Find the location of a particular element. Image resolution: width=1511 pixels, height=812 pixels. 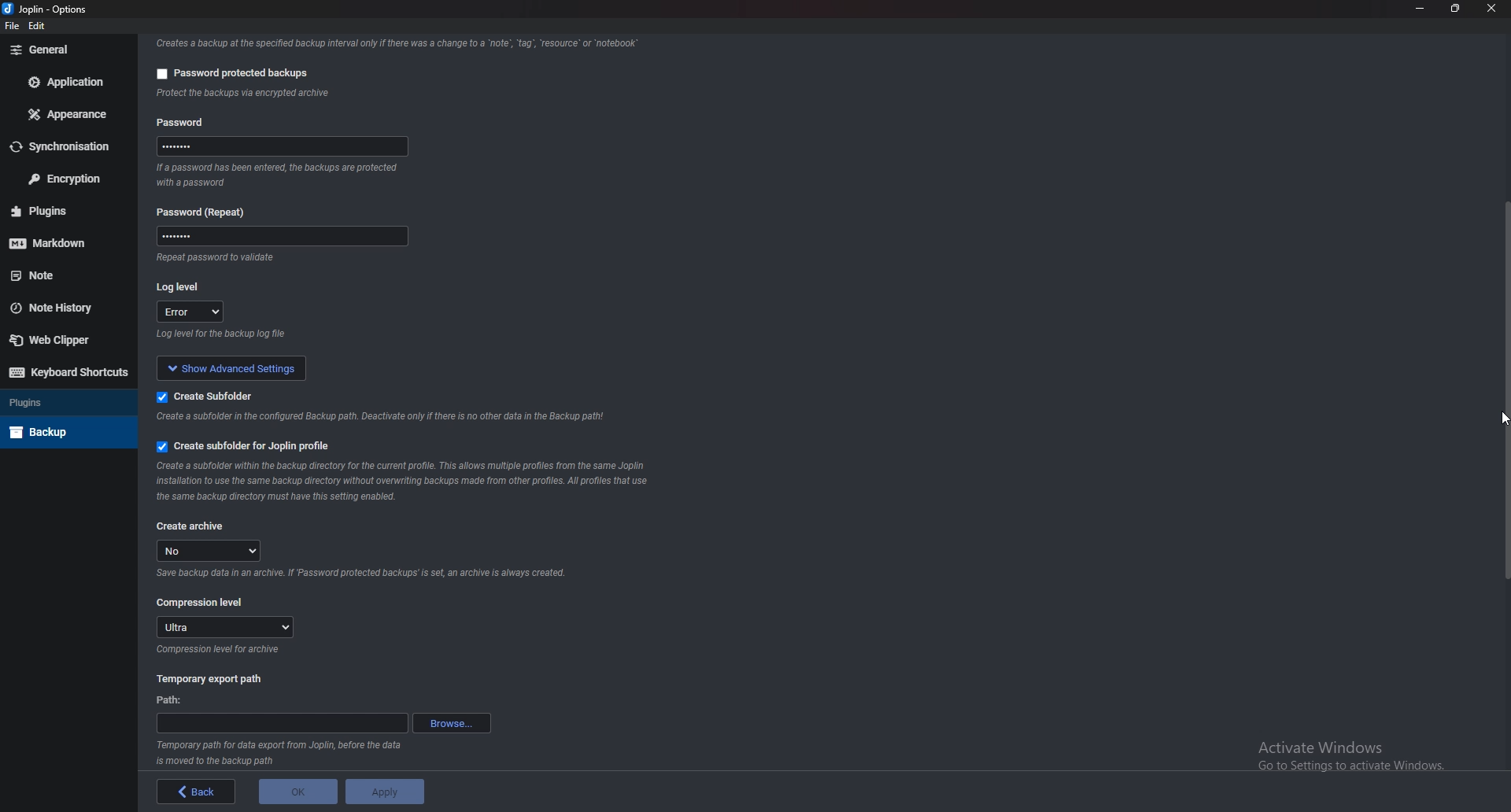

Resize is located at coordinates (1457, 8).